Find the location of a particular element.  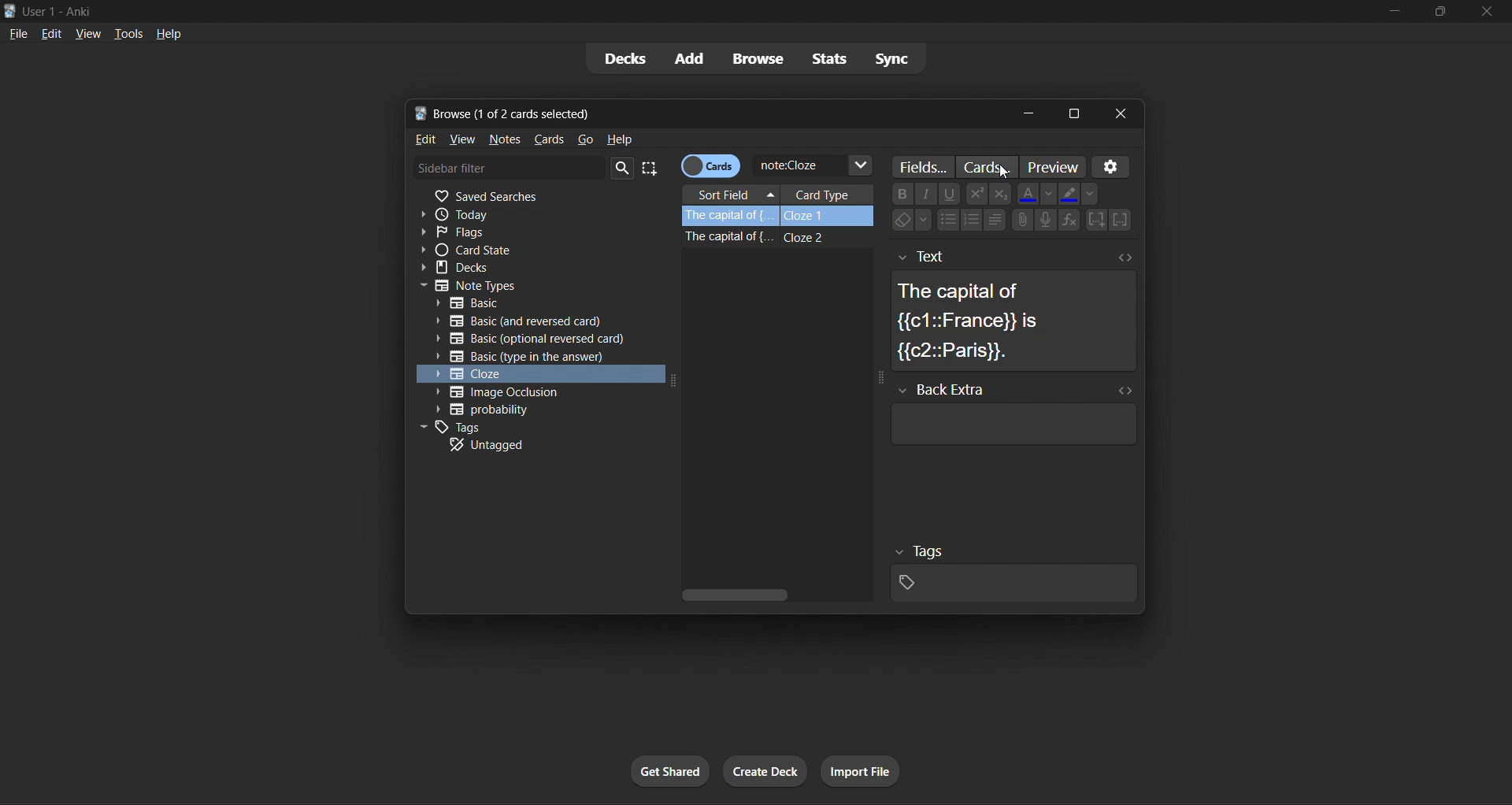

card text styling  is located at coordinates (1003, 209).